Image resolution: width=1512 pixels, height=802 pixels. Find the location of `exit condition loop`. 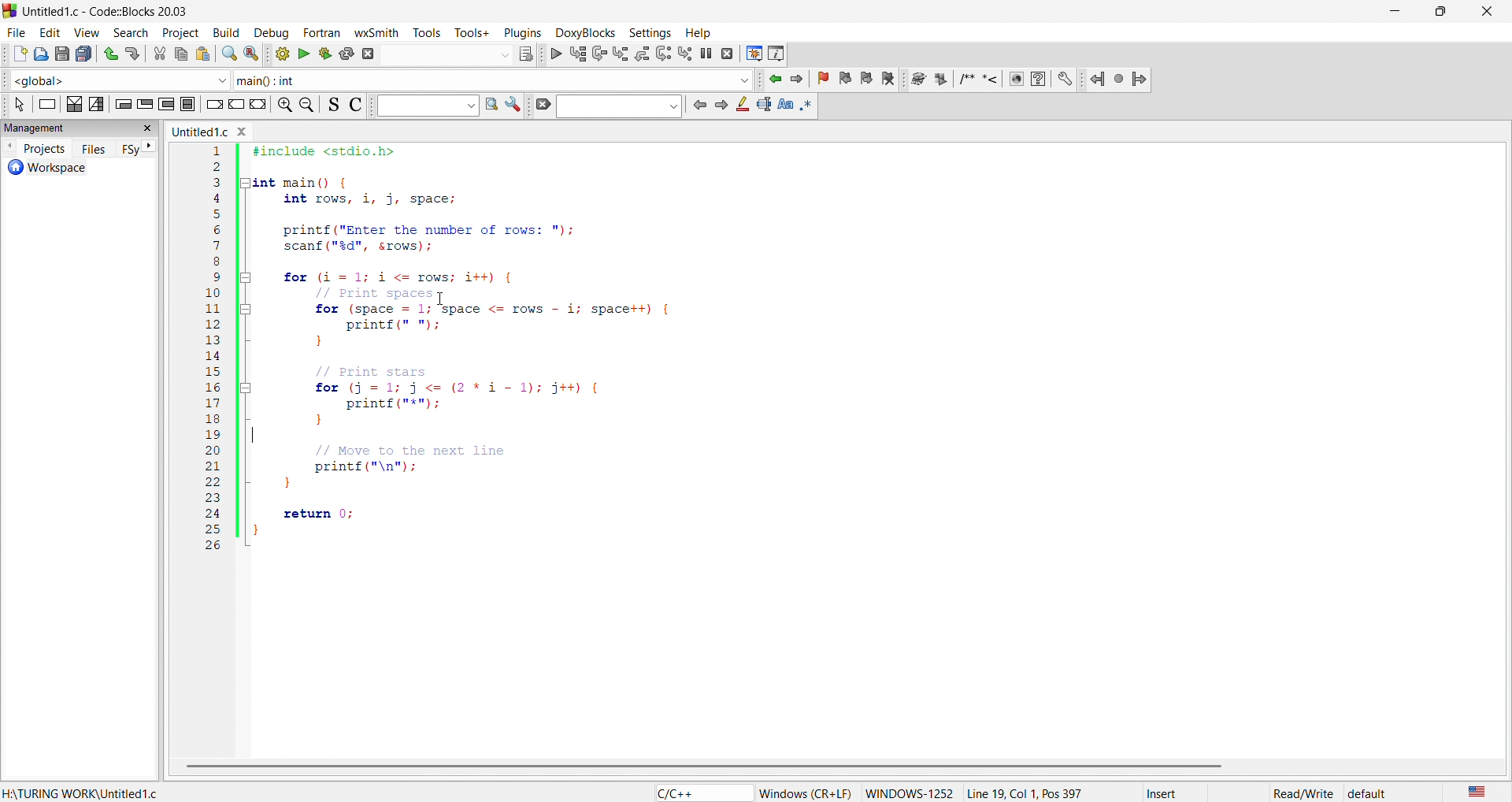

exit condition loop is located at coordinates (145, 102).